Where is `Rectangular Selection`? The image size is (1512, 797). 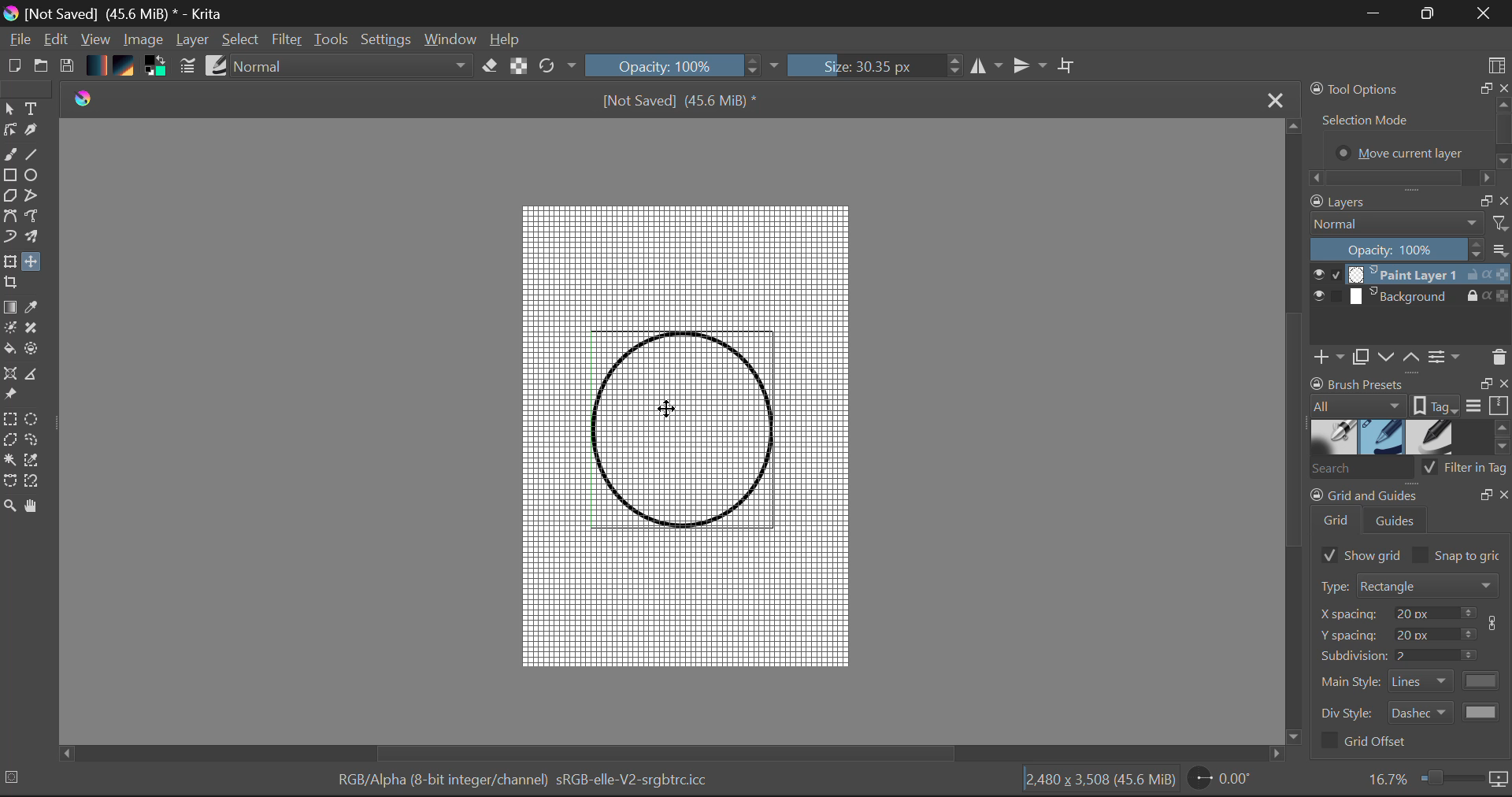
Rectangular Selection is located at coordinates (11, 419).